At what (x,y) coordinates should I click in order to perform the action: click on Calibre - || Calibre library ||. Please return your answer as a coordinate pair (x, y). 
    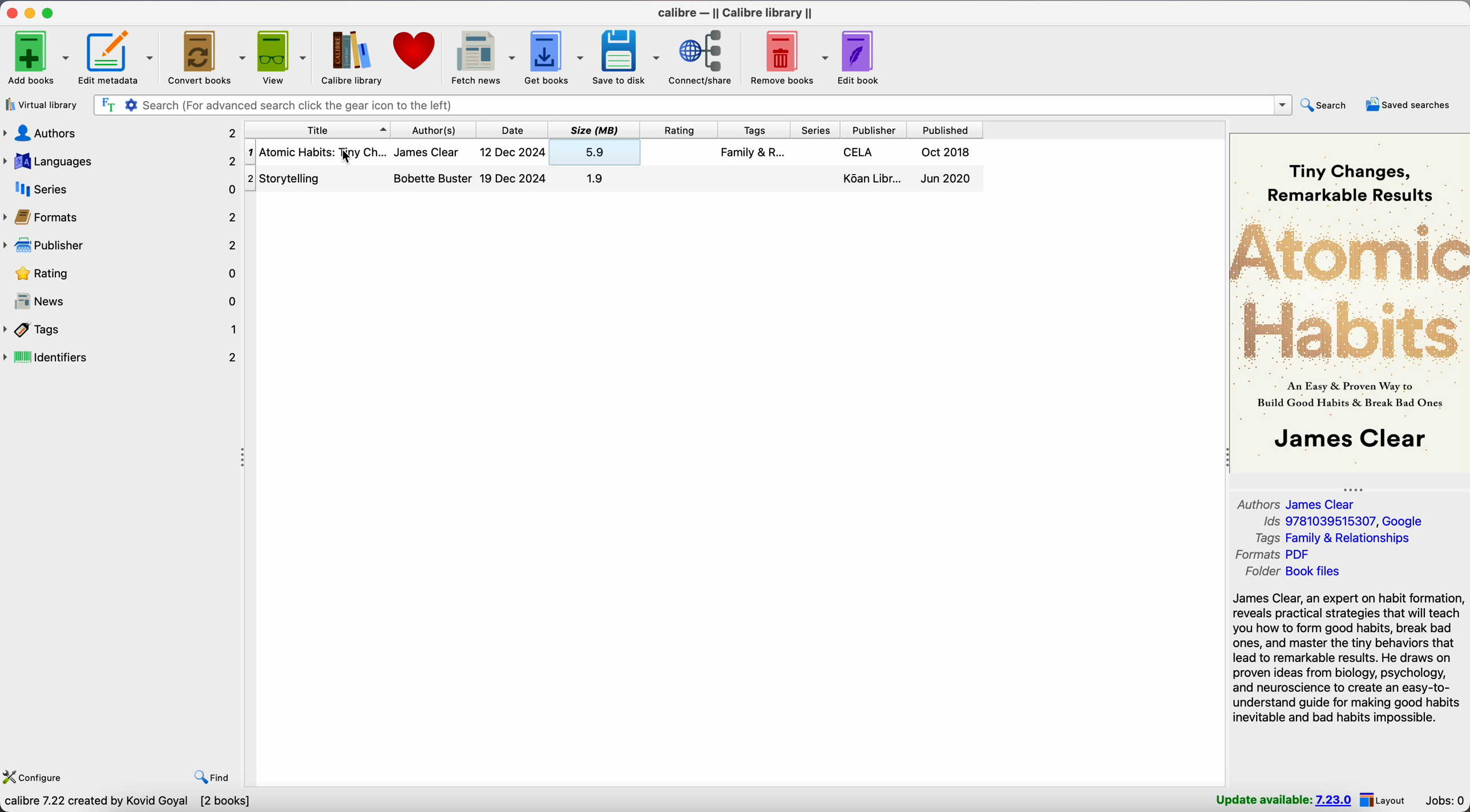
    Looking at the image, I should click on (736, 14).